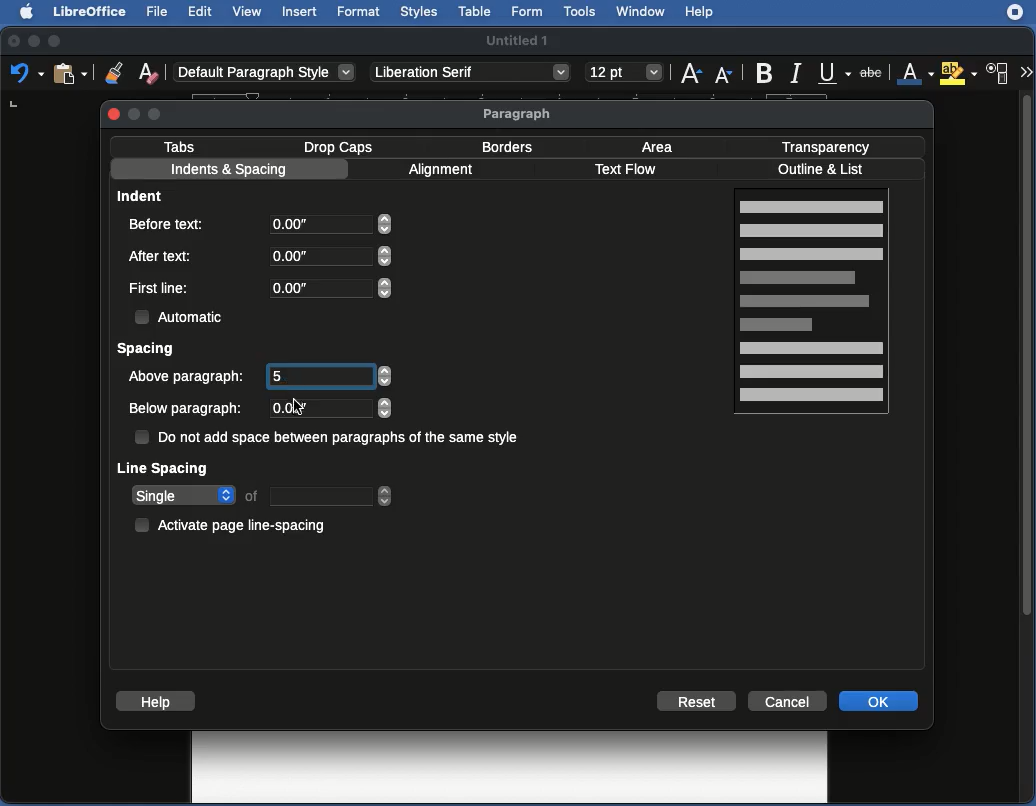  What do you see at coordinates (700, 13) in the screenshot?
I see `Help` at bounding box center [700, 13].